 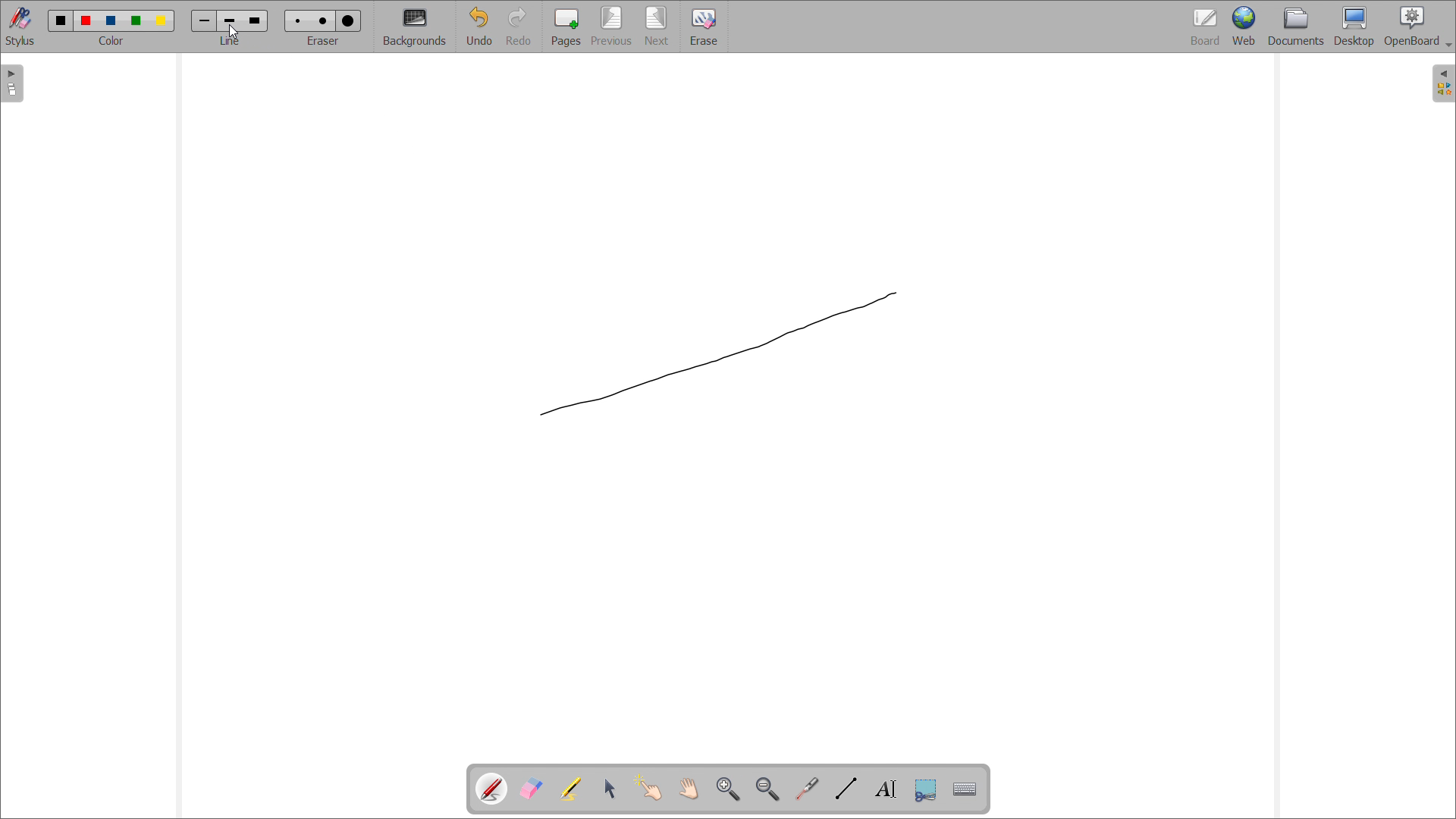 I want to click on line drawn, so click(x=721, y=353).